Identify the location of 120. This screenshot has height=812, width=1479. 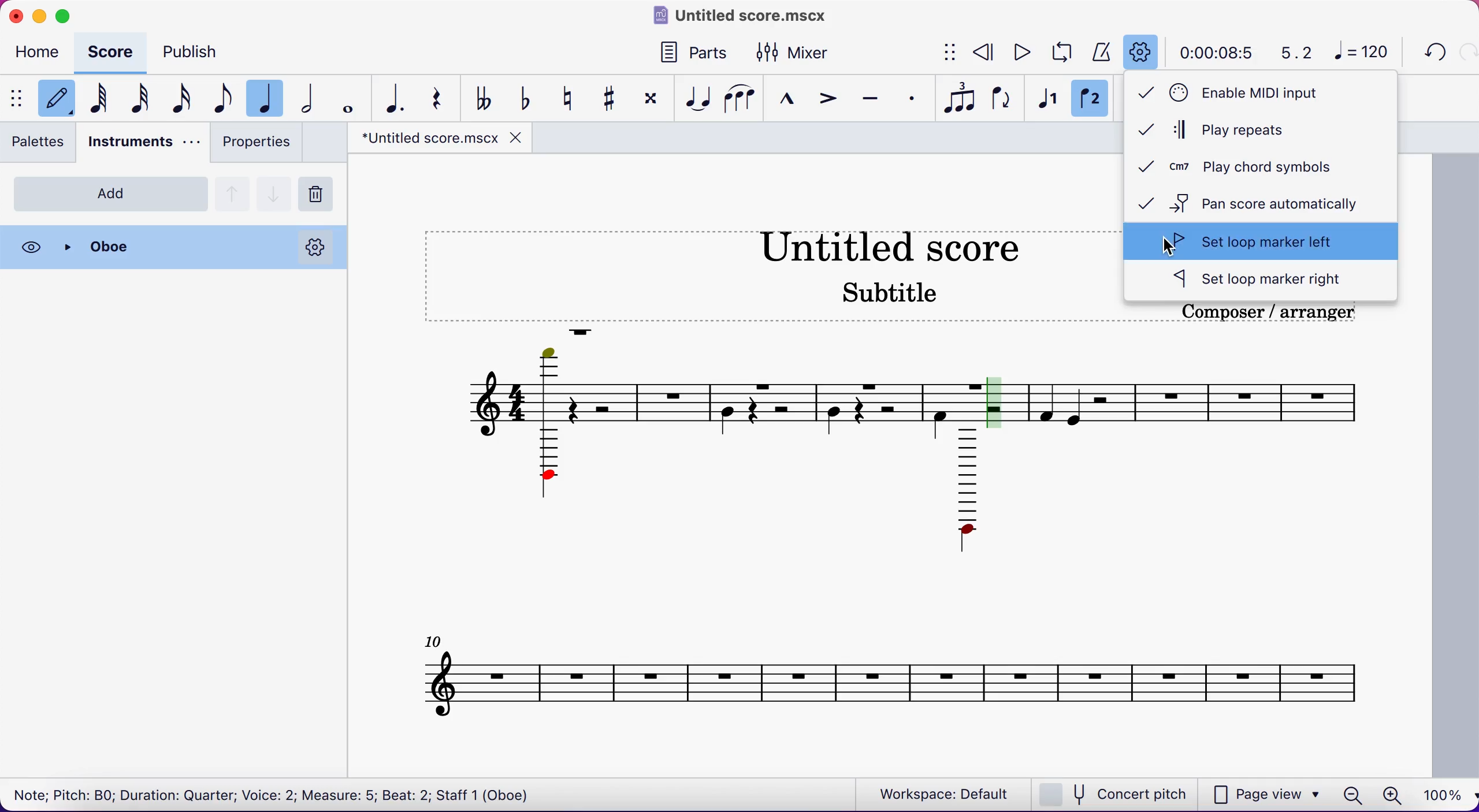
(1365, 53).